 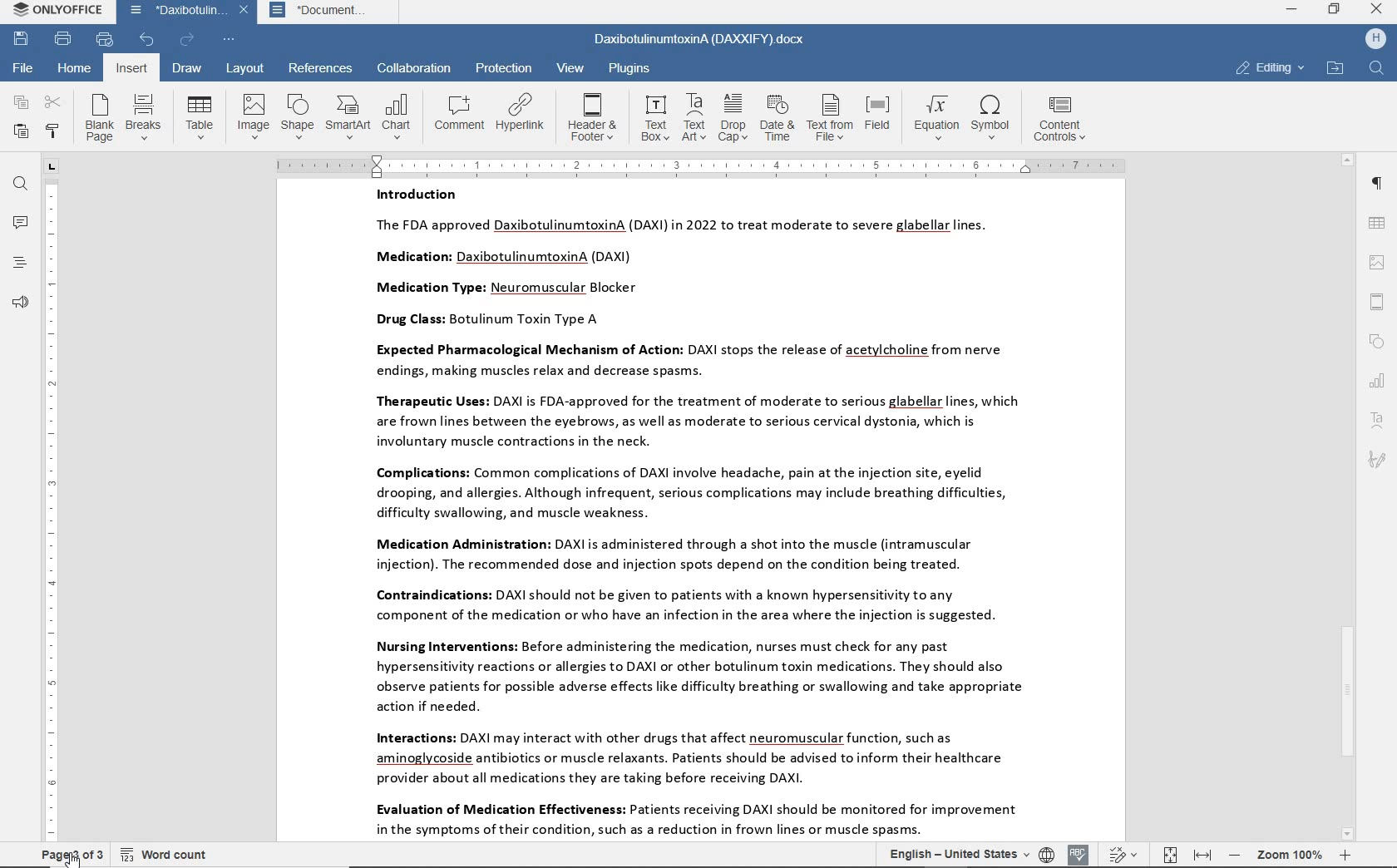 What do you see at coordinates (397, 116) in the screenshot?
I see `chart` at bounding box center [397, 116].